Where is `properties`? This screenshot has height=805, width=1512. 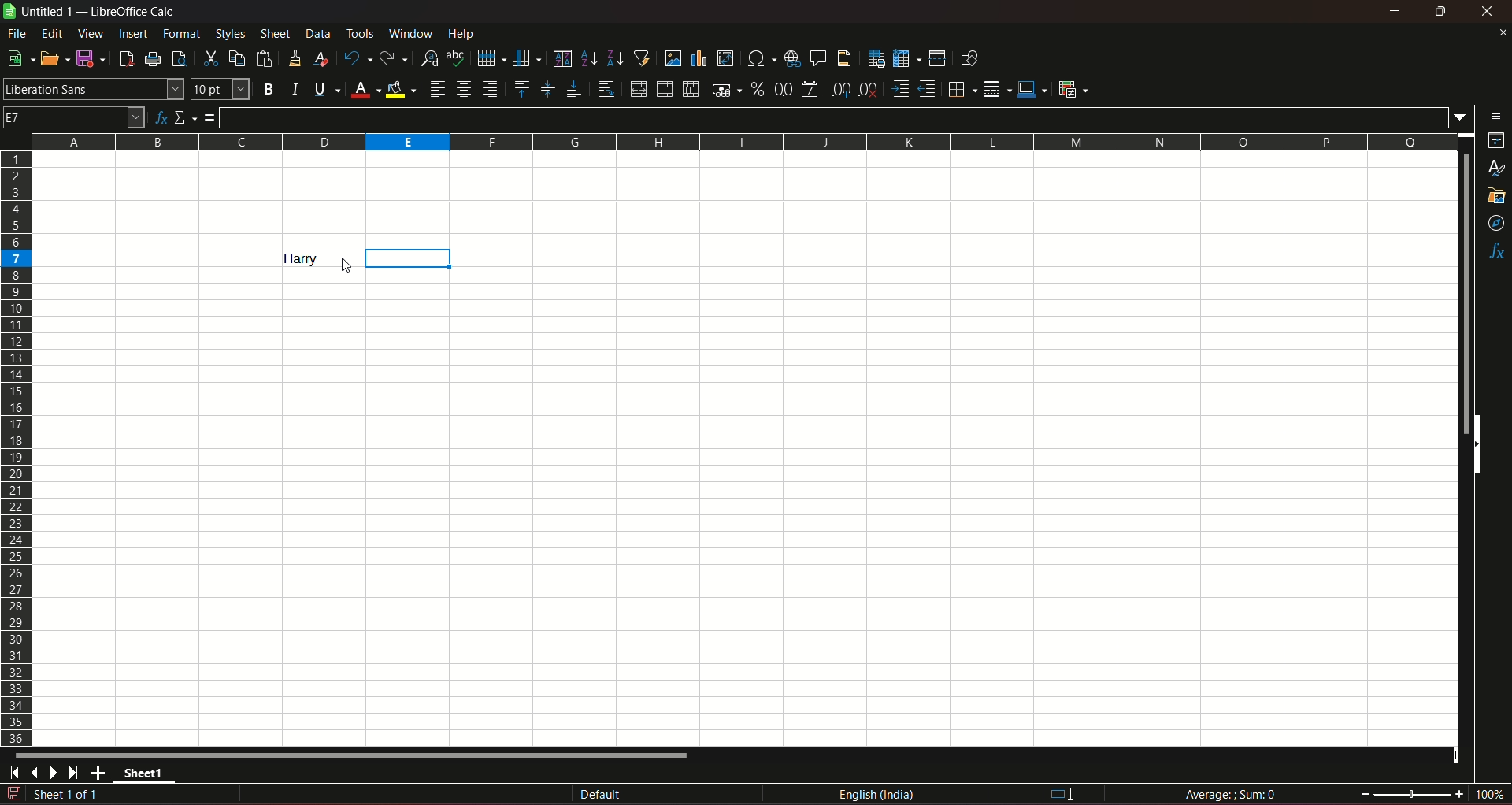 properties is located at coordinates (1496, 142).